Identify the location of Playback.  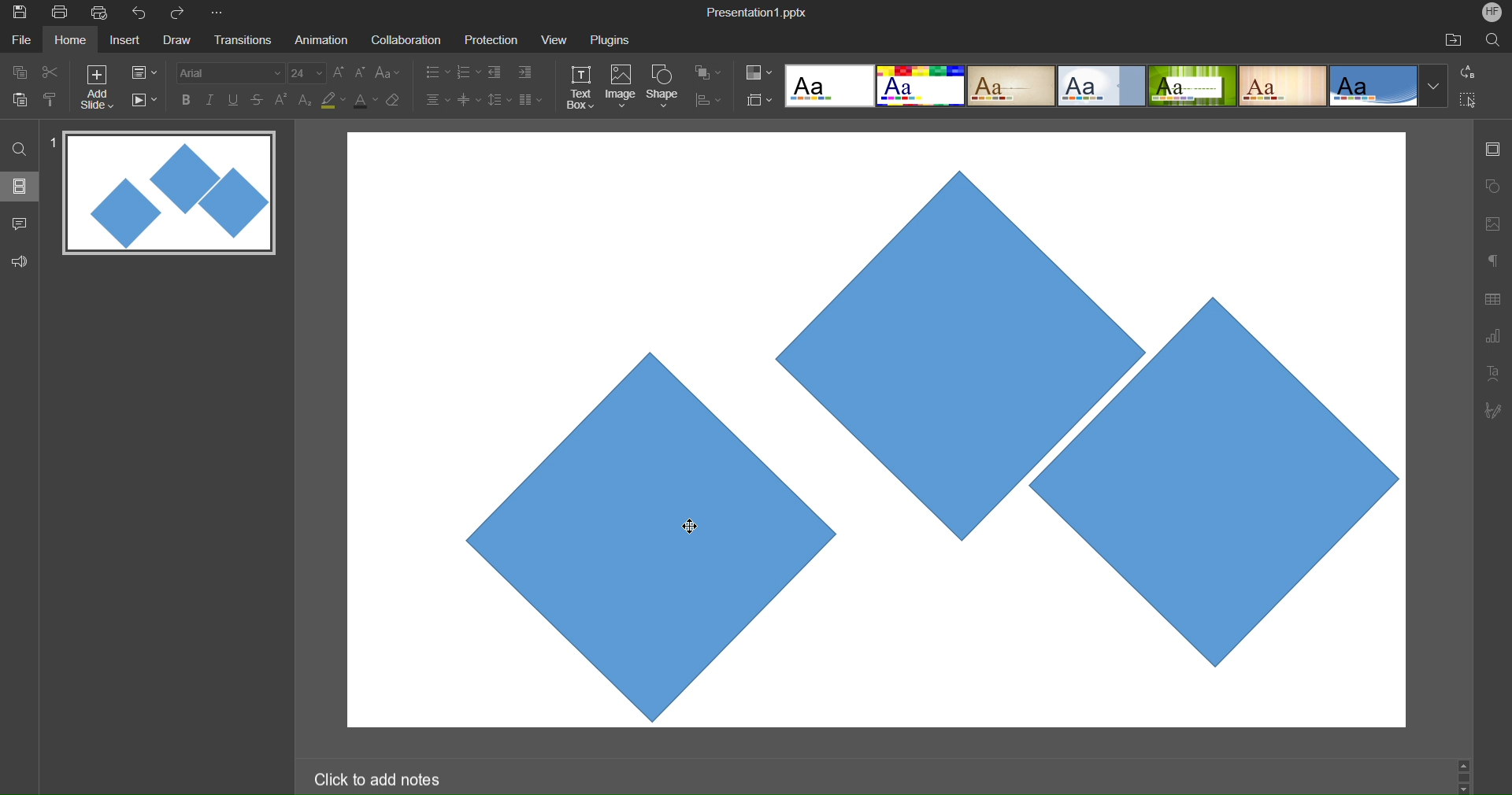
(143, 101).